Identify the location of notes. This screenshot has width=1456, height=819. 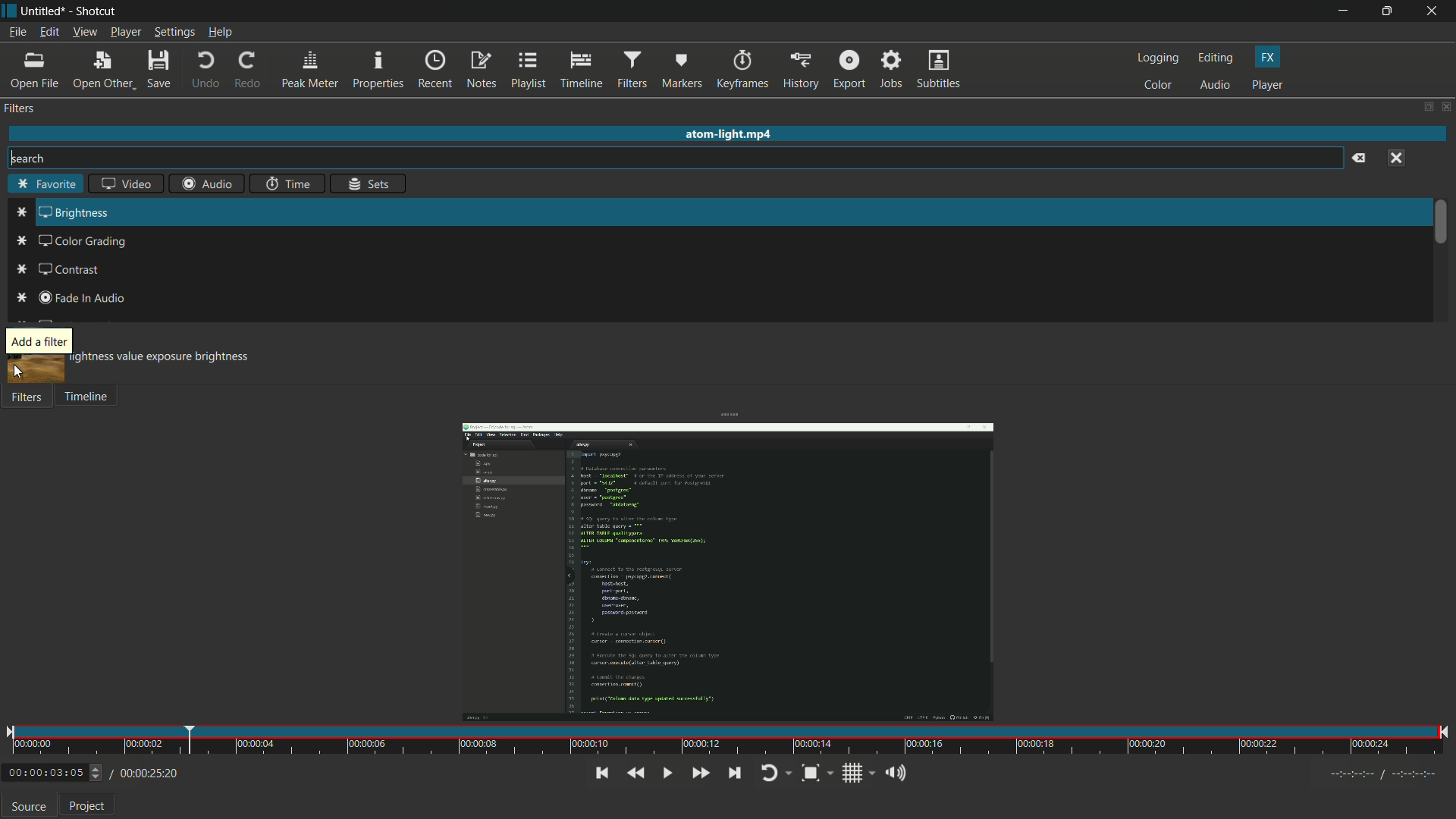
(482, 71).